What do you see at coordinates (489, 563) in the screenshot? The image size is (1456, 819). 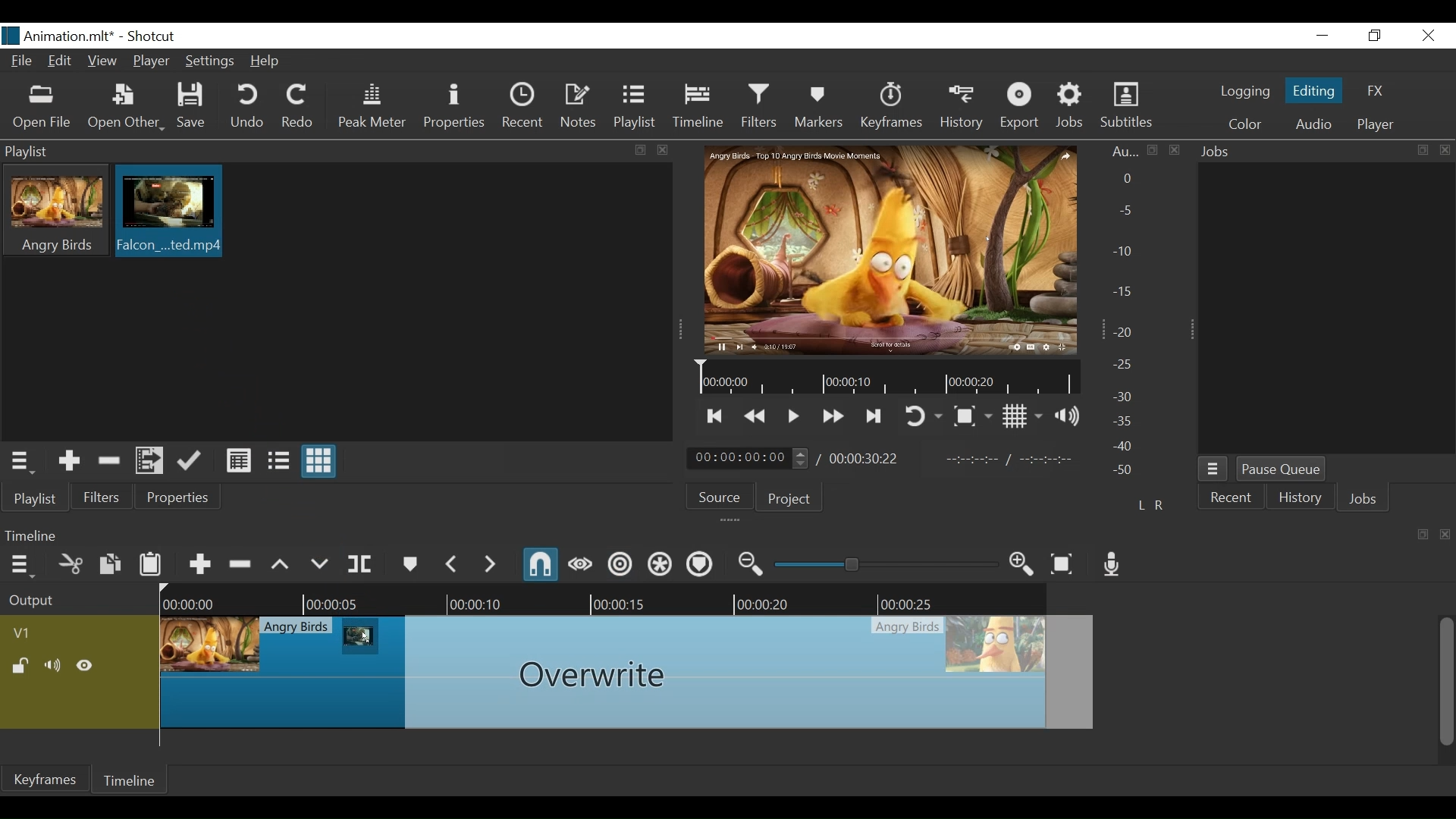 I see `Next Marker` at bounding box center [489, 563].